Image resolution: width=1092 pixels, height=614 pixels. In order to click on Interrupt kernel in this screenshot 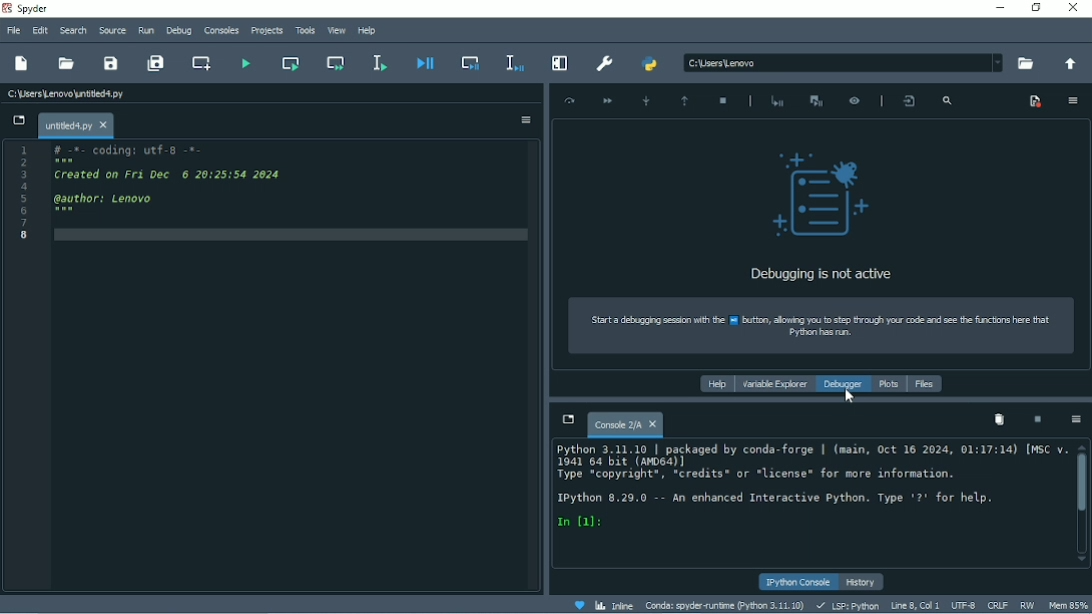, I will do `click(1038, 420)`.